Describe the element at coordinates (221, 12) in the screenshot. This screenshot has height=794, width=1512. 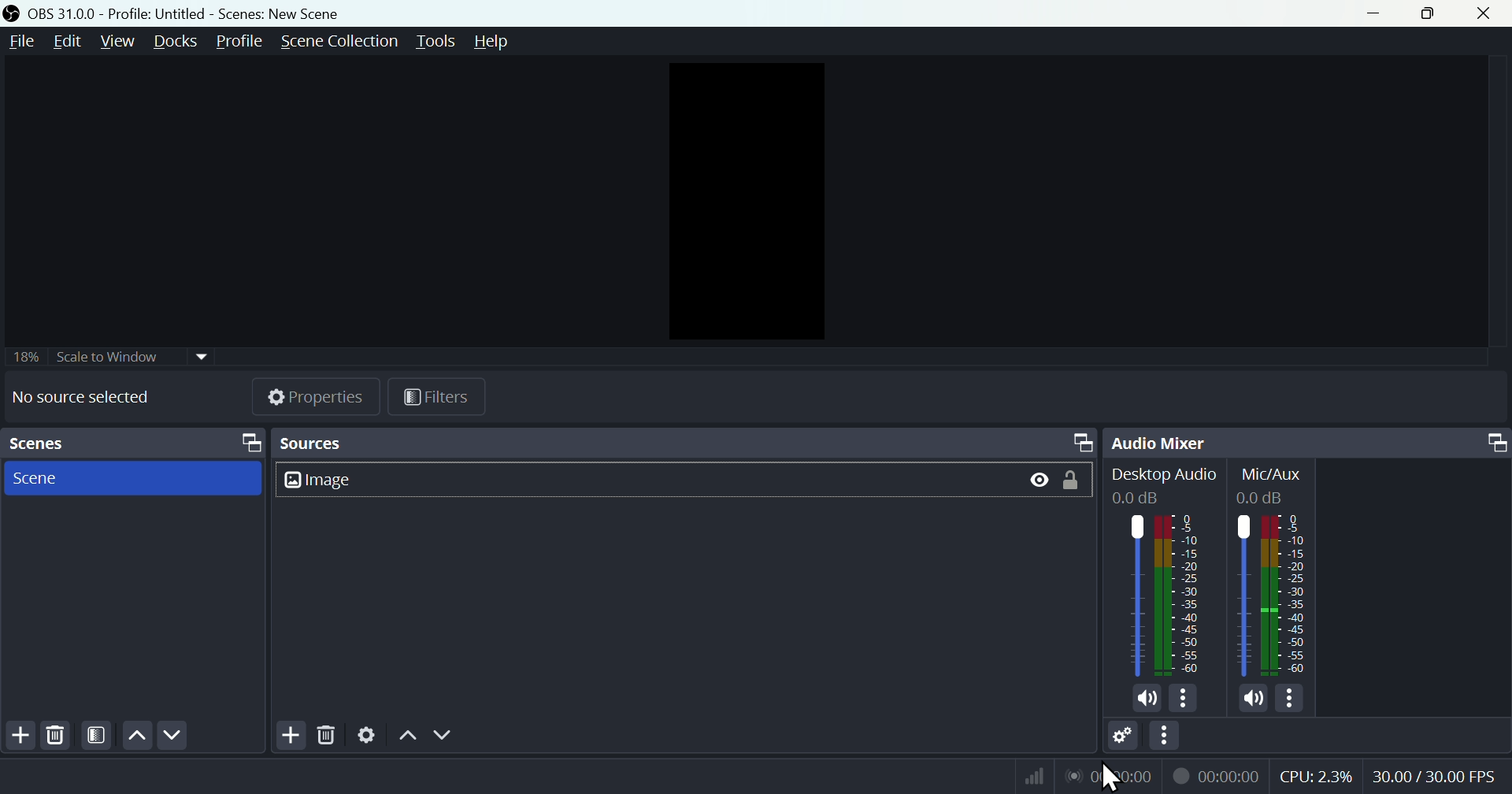
I see `OBS 31.0 .0 profile untitled scenes new scene` at that location.